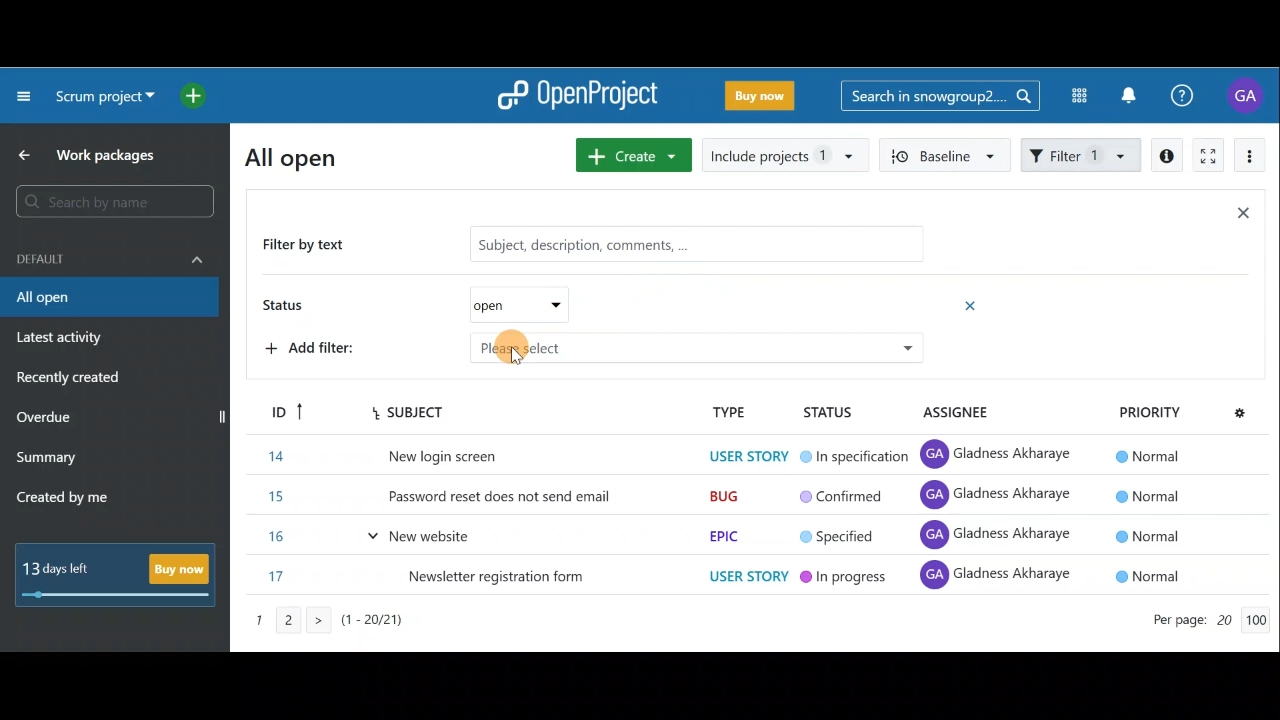  I want to click on Baseline, so click(942, 154).